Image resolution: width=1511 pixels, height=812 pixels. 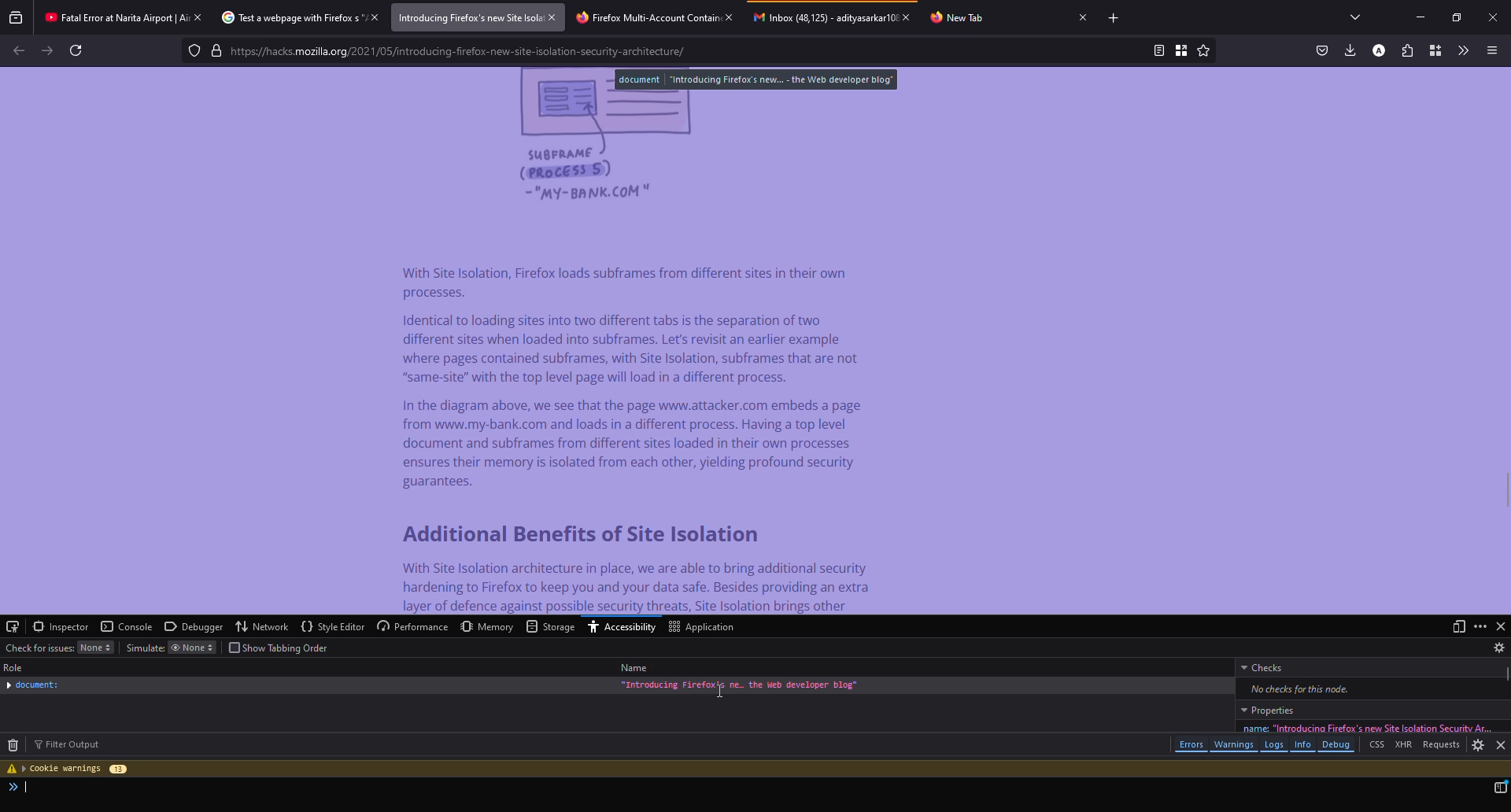 What do you see at coordinates (1439, 744) in the screenshot?
I see `requests` at bounding box center [1439, 744].